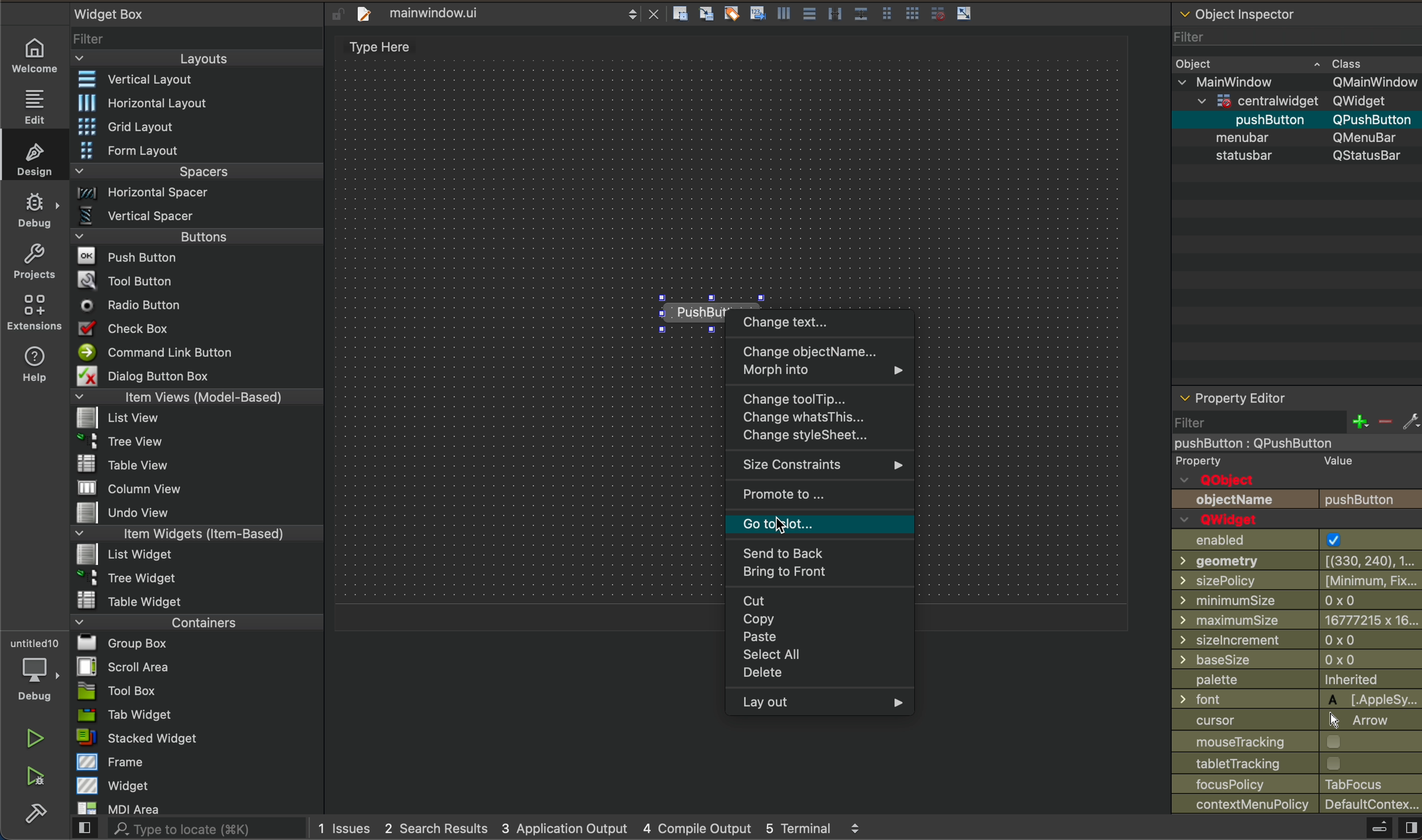 The image size is (1422, 840). I want to click on filter, so click(1295, 37).